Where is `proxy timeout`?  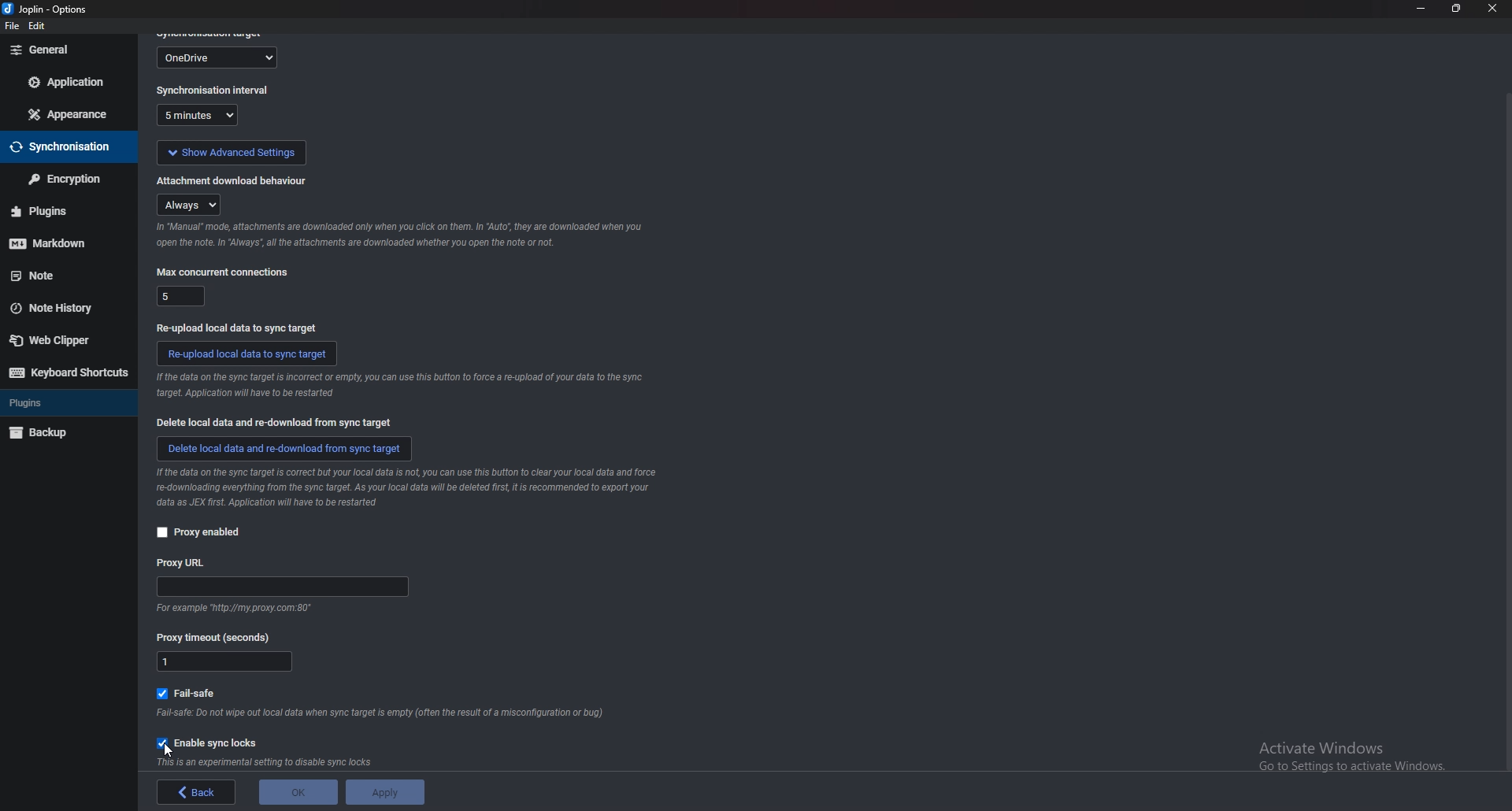 proxy timeout is located at coordinates (220, 637).